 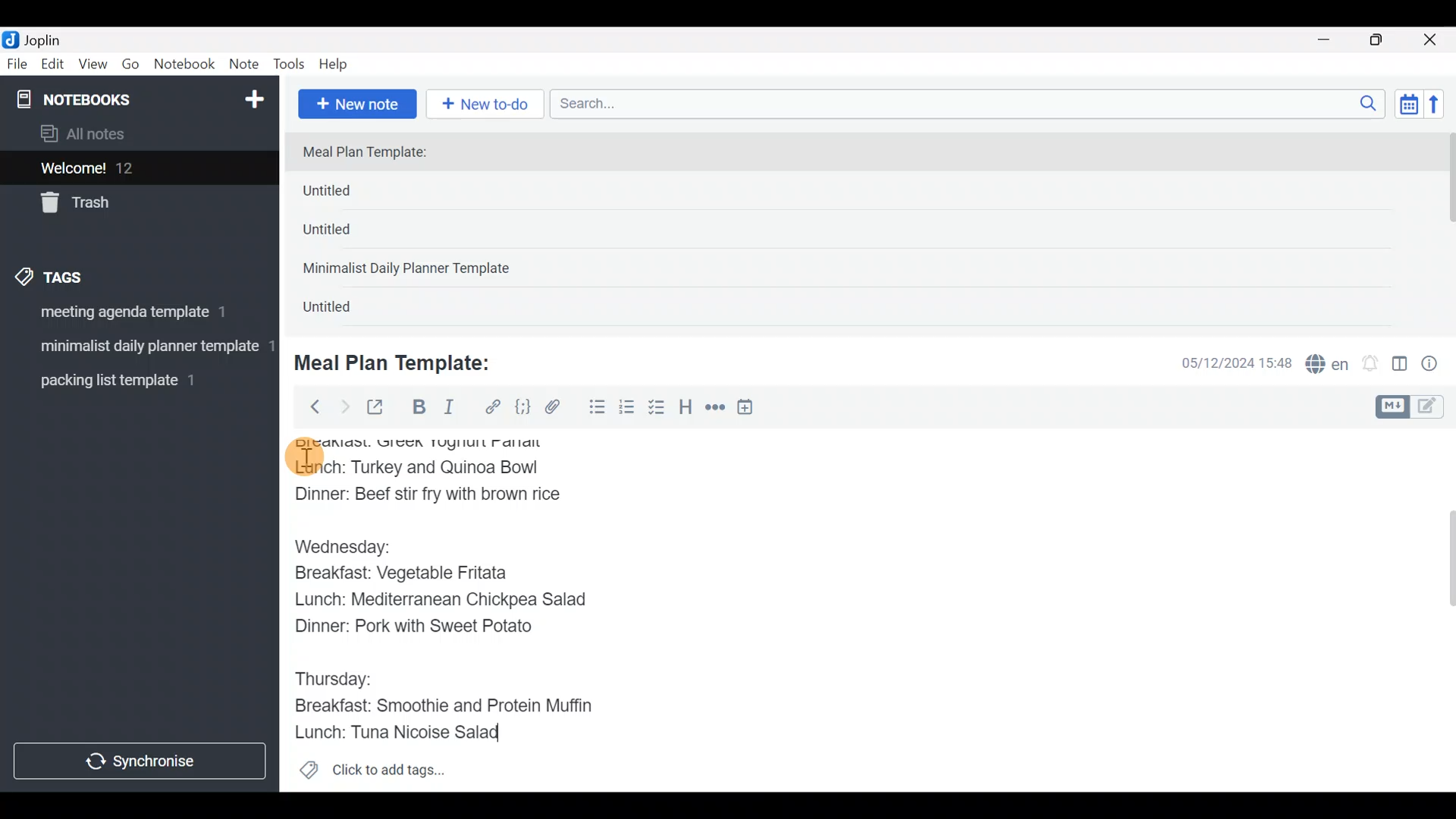 What do you see at coordinates (1328, 366) in the screenshot?
I see `Spelling` at bounding box center [1328, 366].